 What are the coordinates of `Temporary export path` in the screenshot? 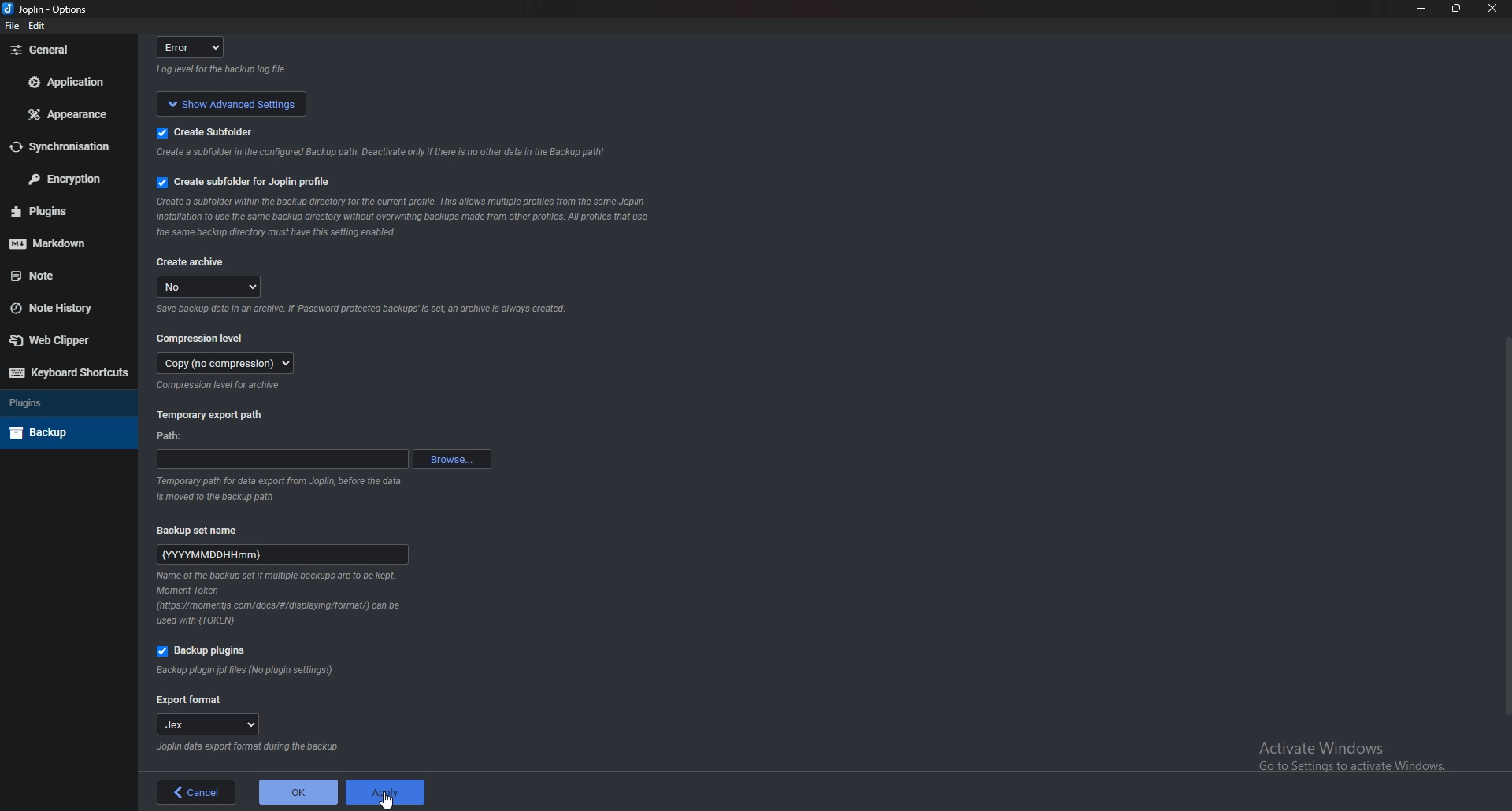 It's located at (211, 414).